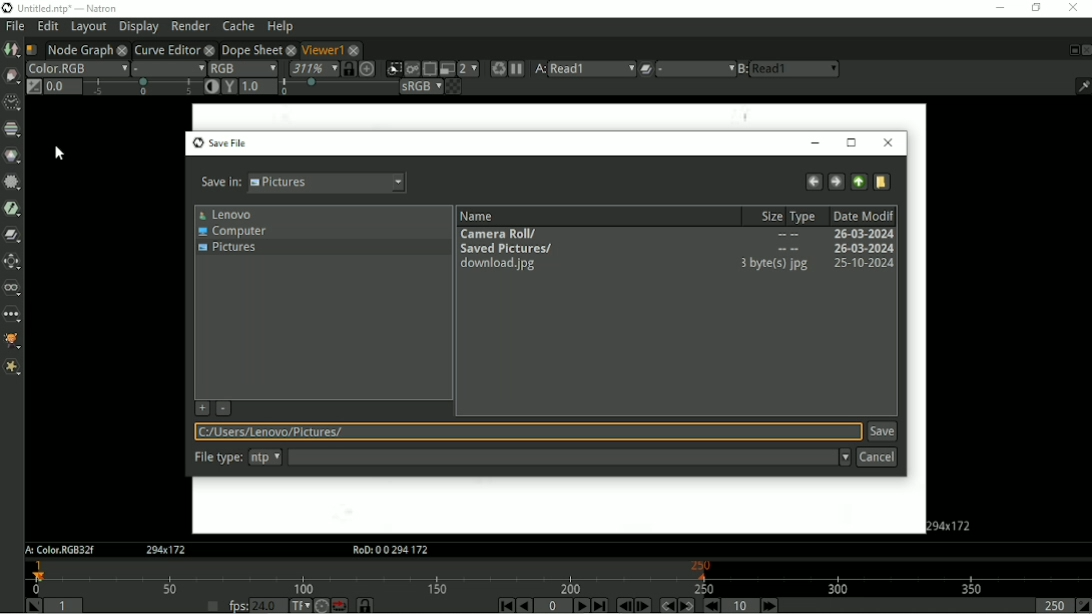  I want to click on Keyer, so click(12, 209).